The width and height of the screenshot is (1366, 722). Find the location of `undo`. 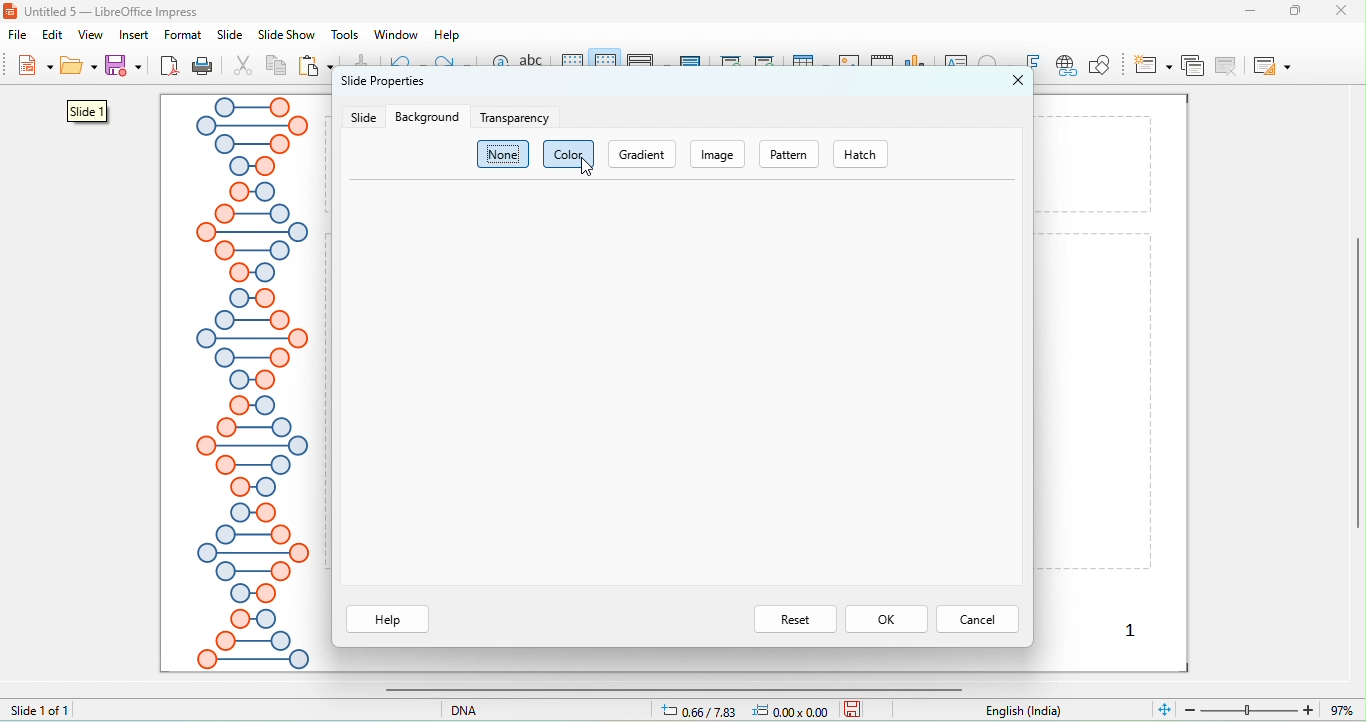

undo is located at coordinates (407, 63).